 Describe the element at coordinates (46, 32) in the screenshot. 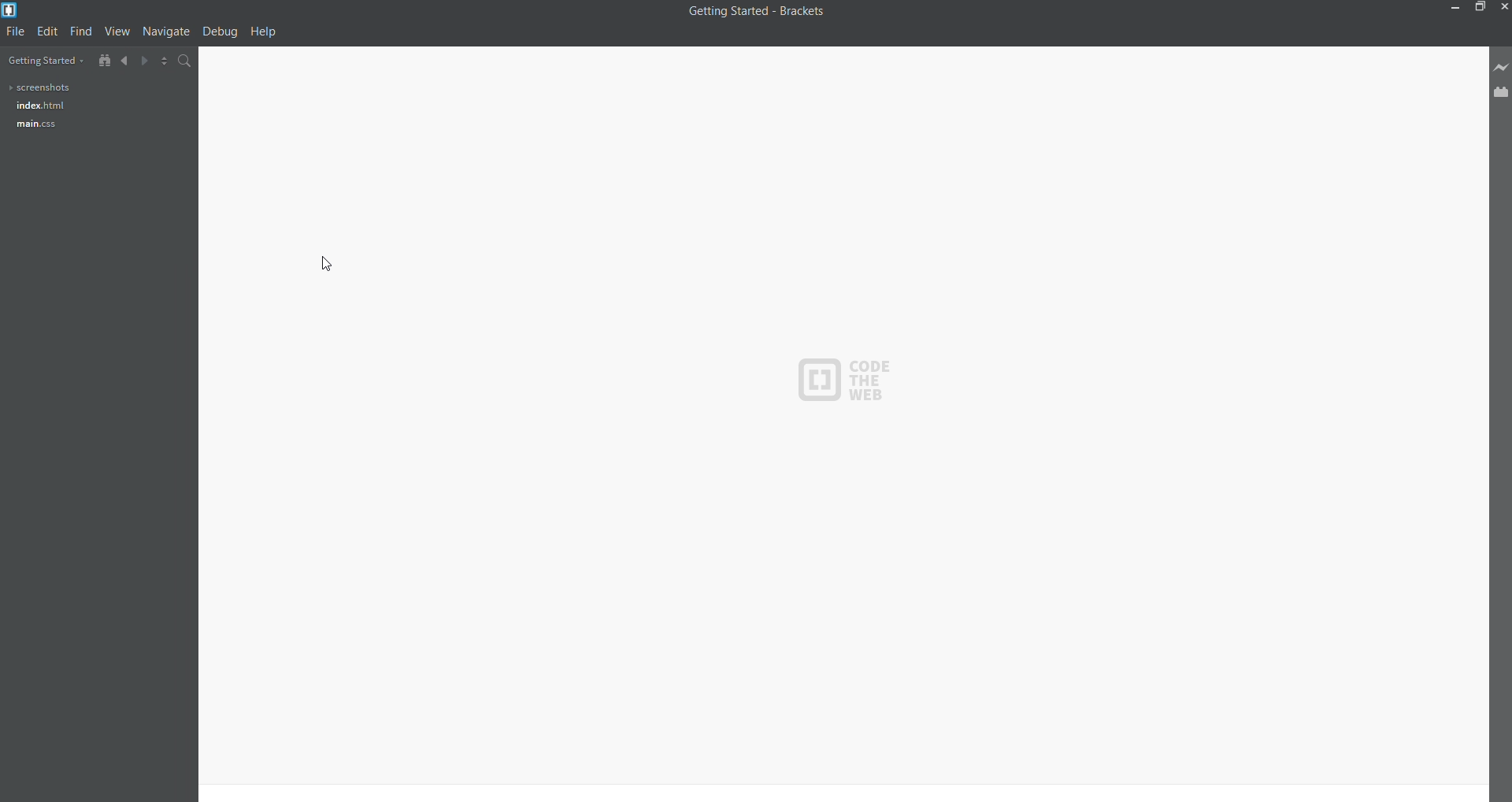

I see `edit` at that location.